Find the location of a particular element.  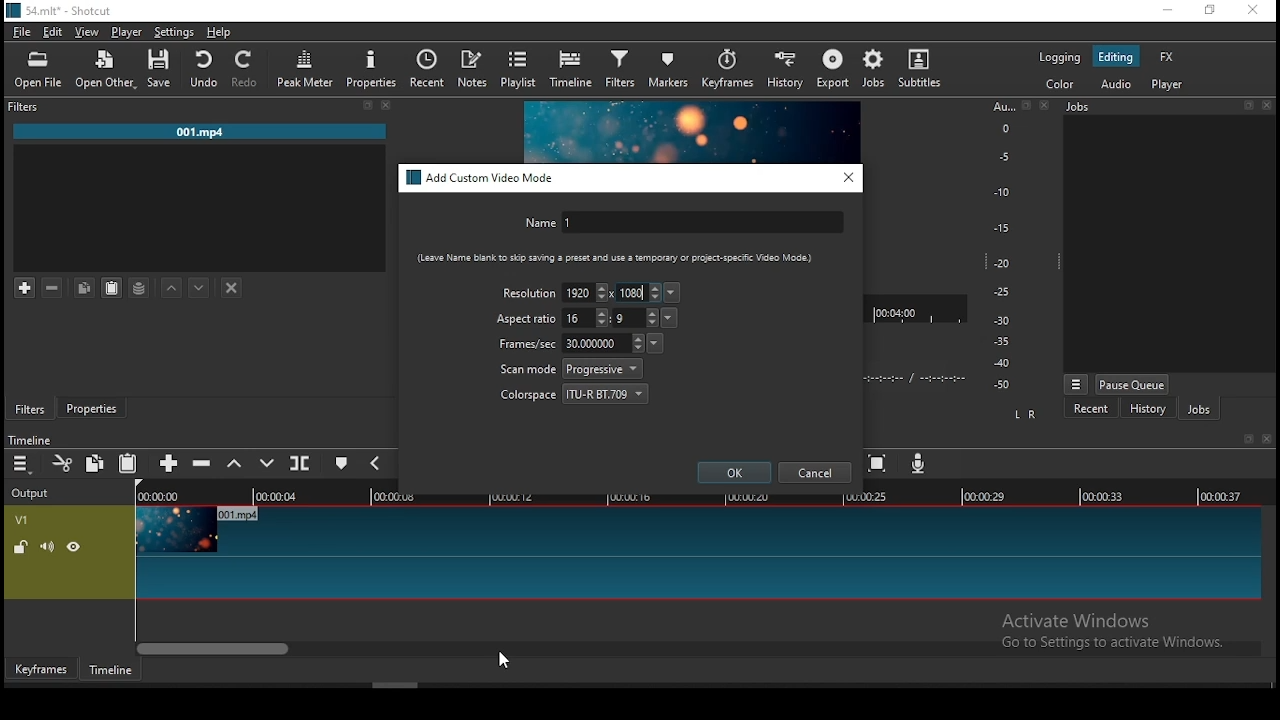

keyframe is located at coordinates (41, 670).